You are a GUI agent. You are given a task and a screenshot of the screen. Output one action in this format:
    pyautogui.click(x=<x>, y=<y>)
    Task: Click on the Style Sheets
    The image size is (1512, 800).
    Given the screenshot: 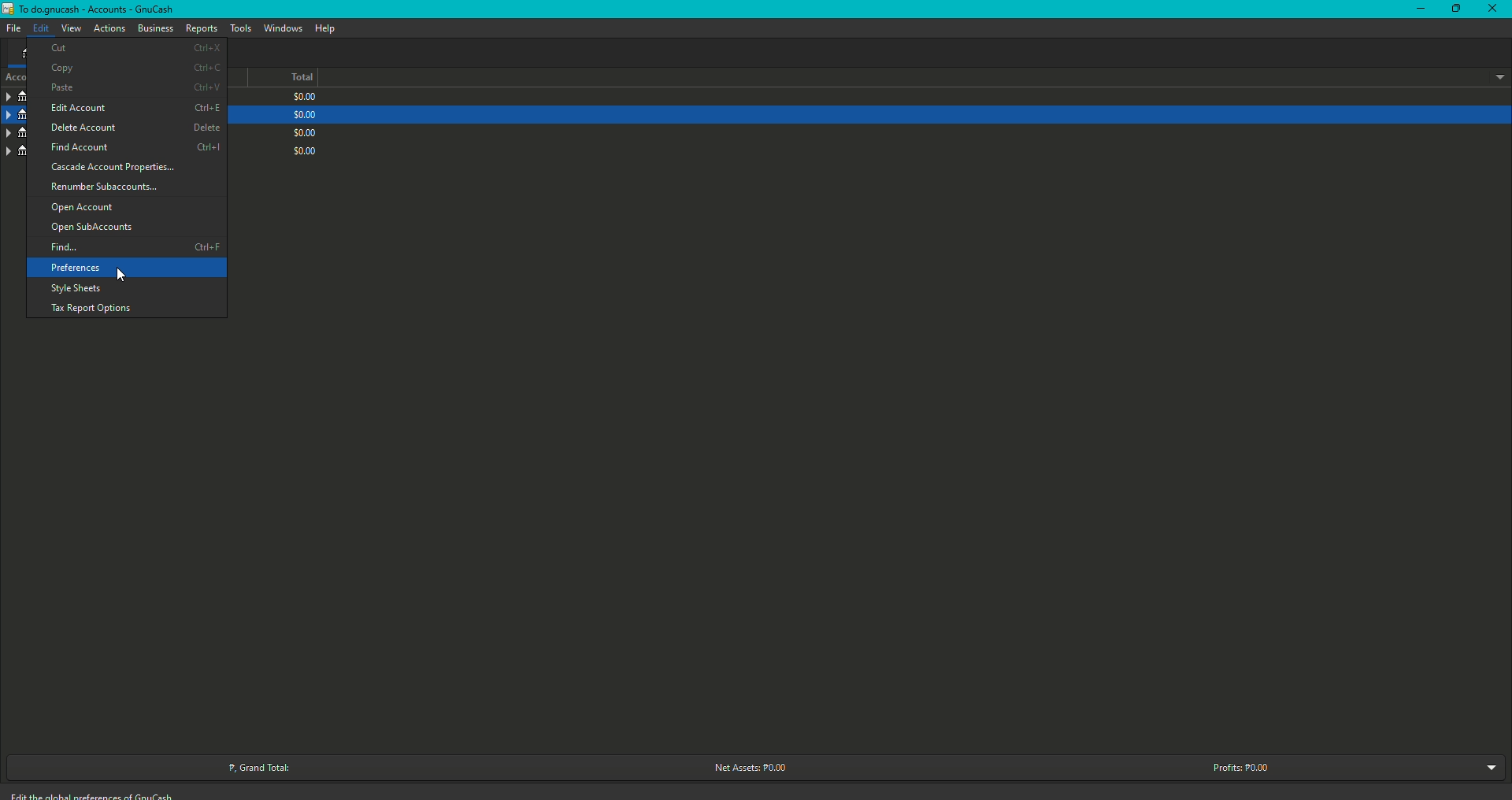 What is the action you would take?
    pyautogui.click(x=76, y=290)
    